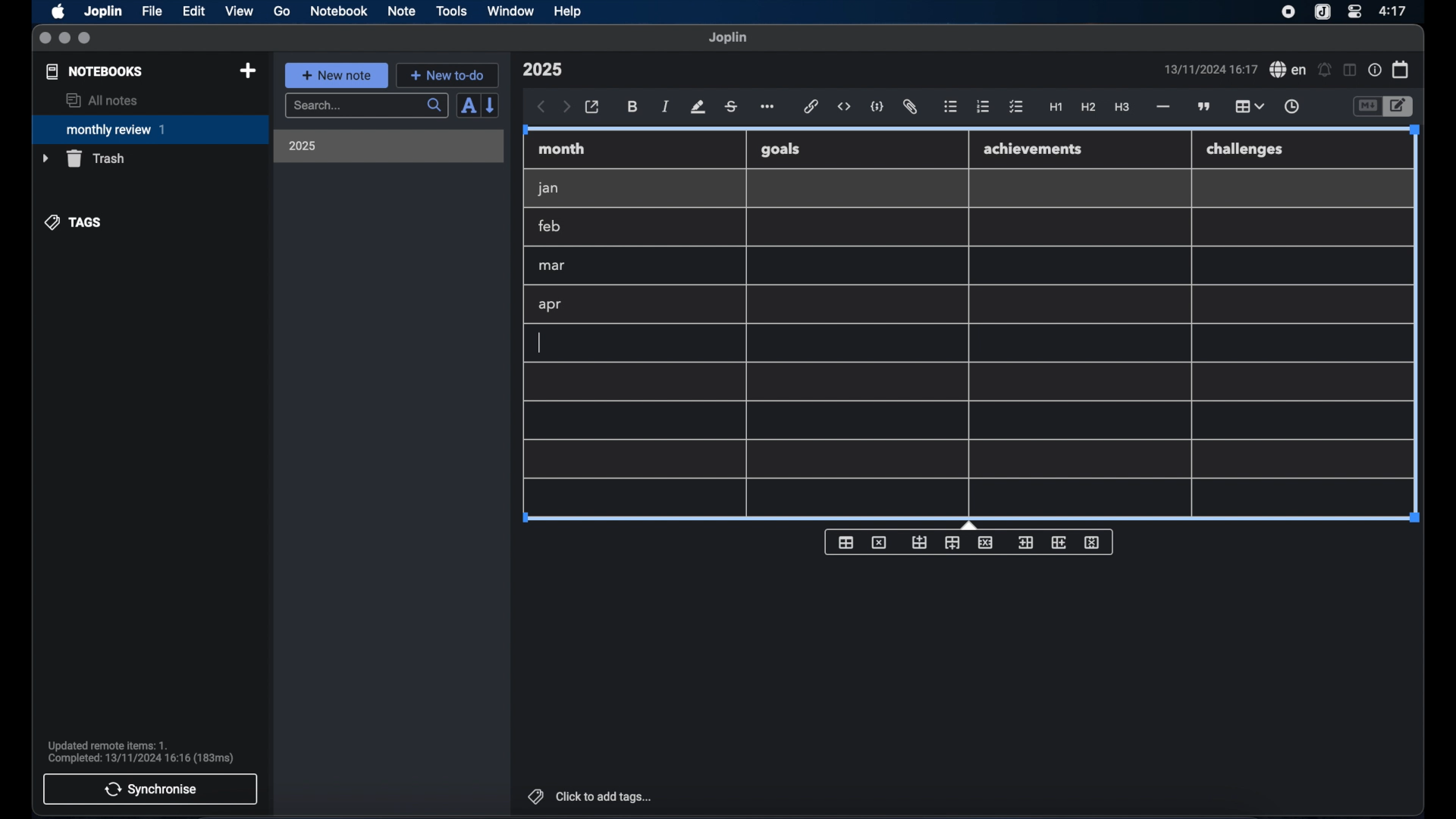  What do you see at coordinates (491, 105) in the screenshot?
I see `reverse sort order` at bounding box center [491, 105].